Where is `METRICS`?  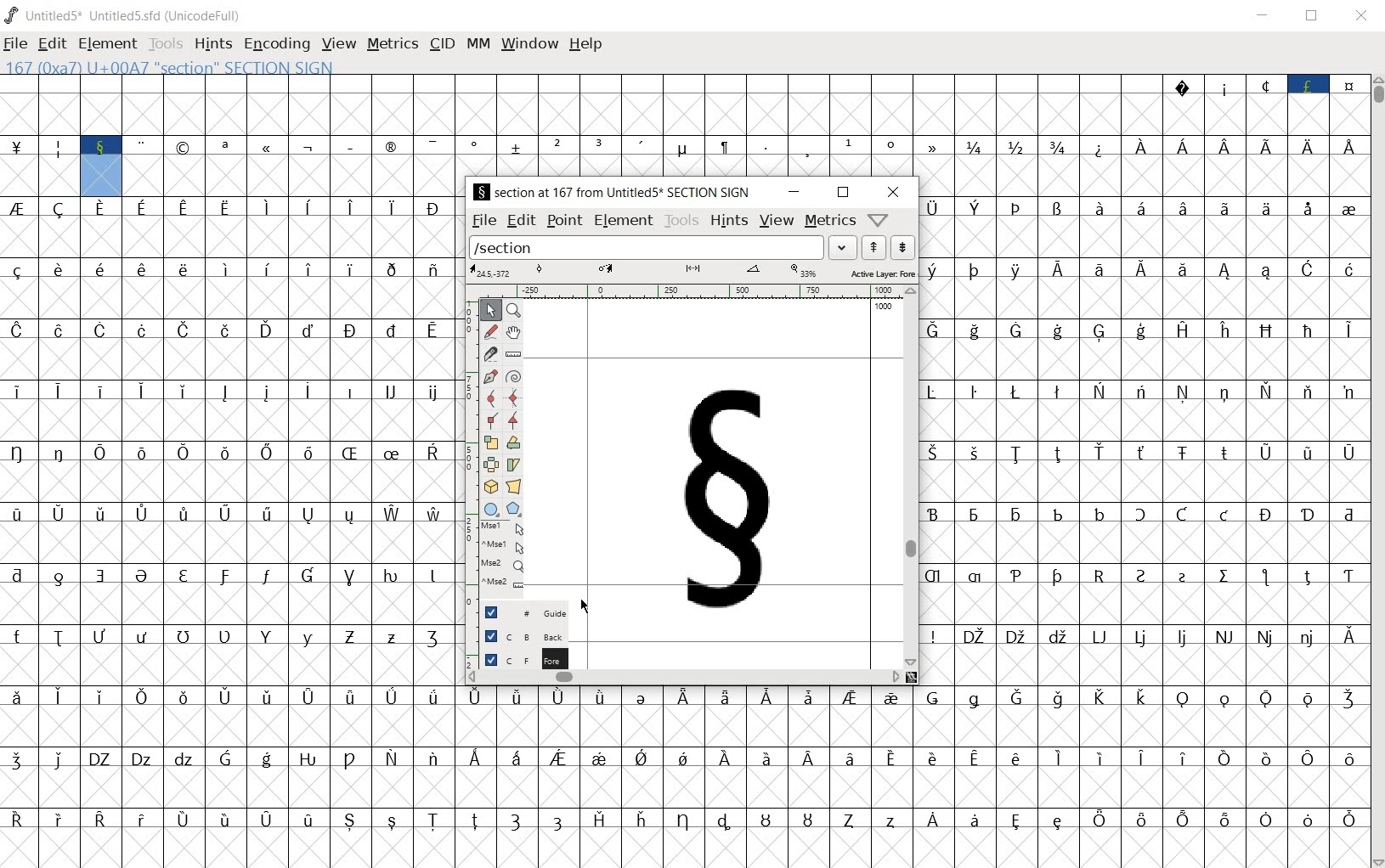
METRICS is located at coordinates (394, 45).